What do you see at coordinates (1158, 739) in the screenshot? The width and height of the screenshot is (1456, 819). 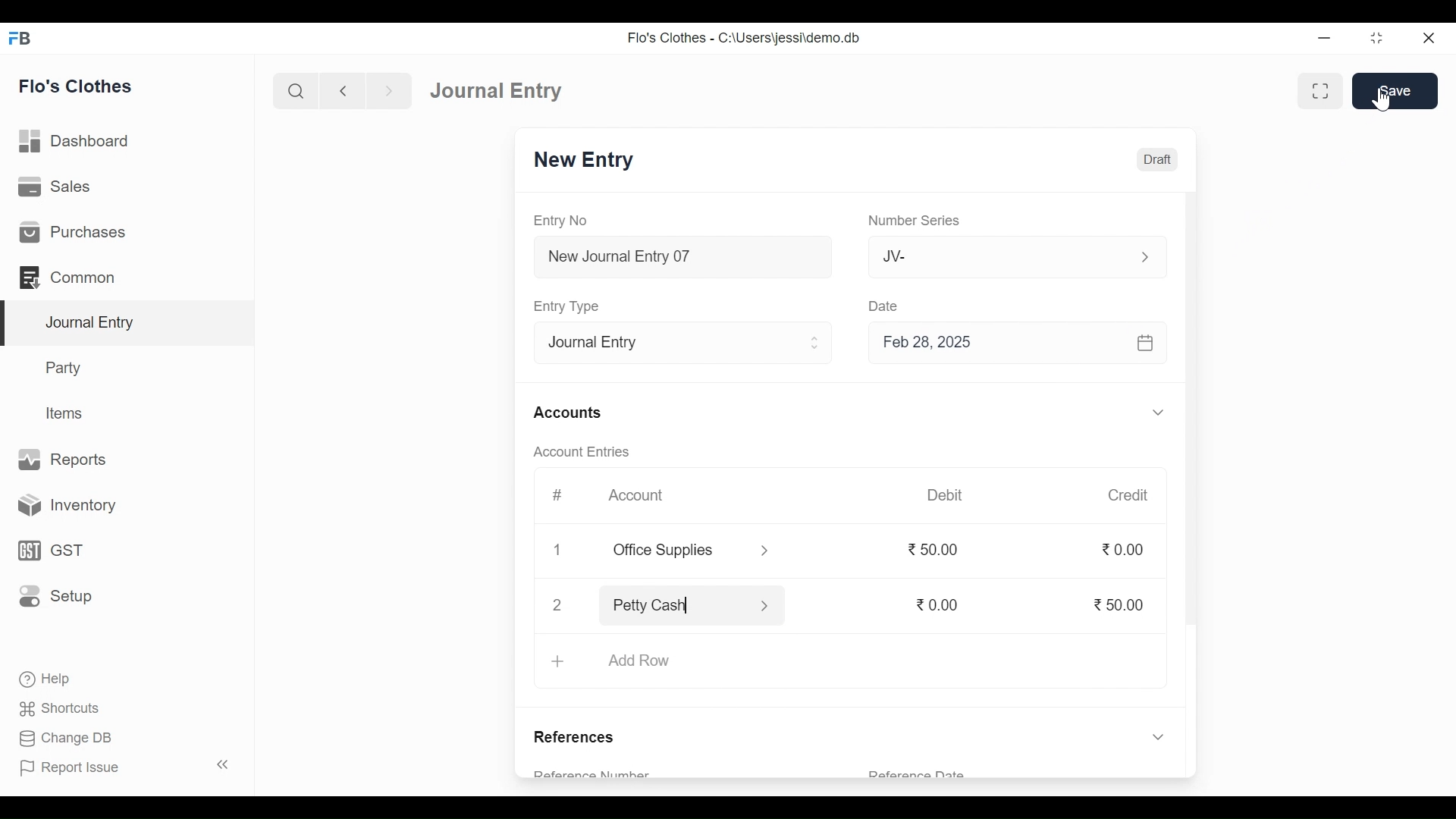 I see `Expand` at bounding box center [1158, 739].